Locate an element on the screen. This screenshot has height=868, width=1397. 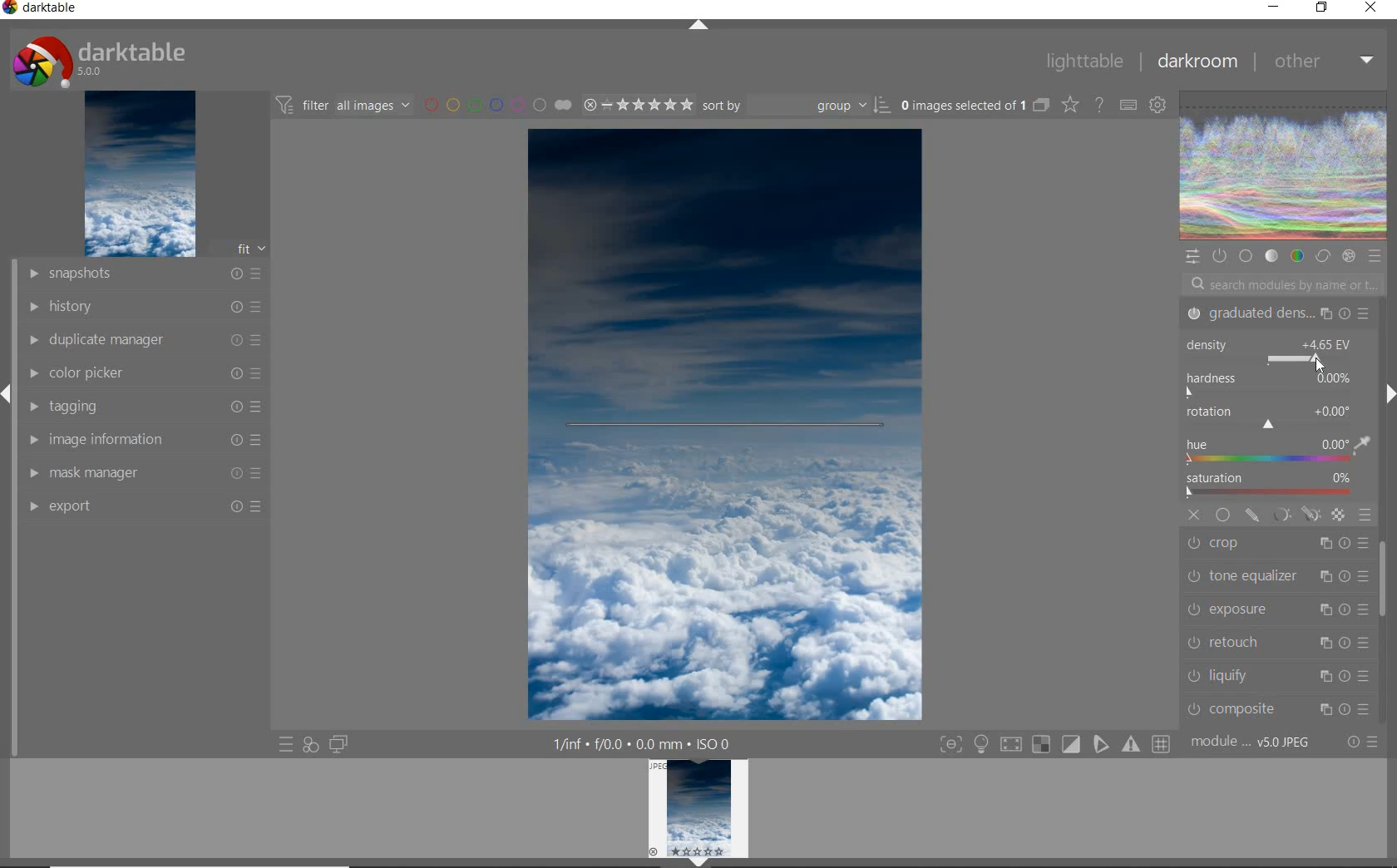
BLENDING OPTIONS is located at coordinates (1365, 515).